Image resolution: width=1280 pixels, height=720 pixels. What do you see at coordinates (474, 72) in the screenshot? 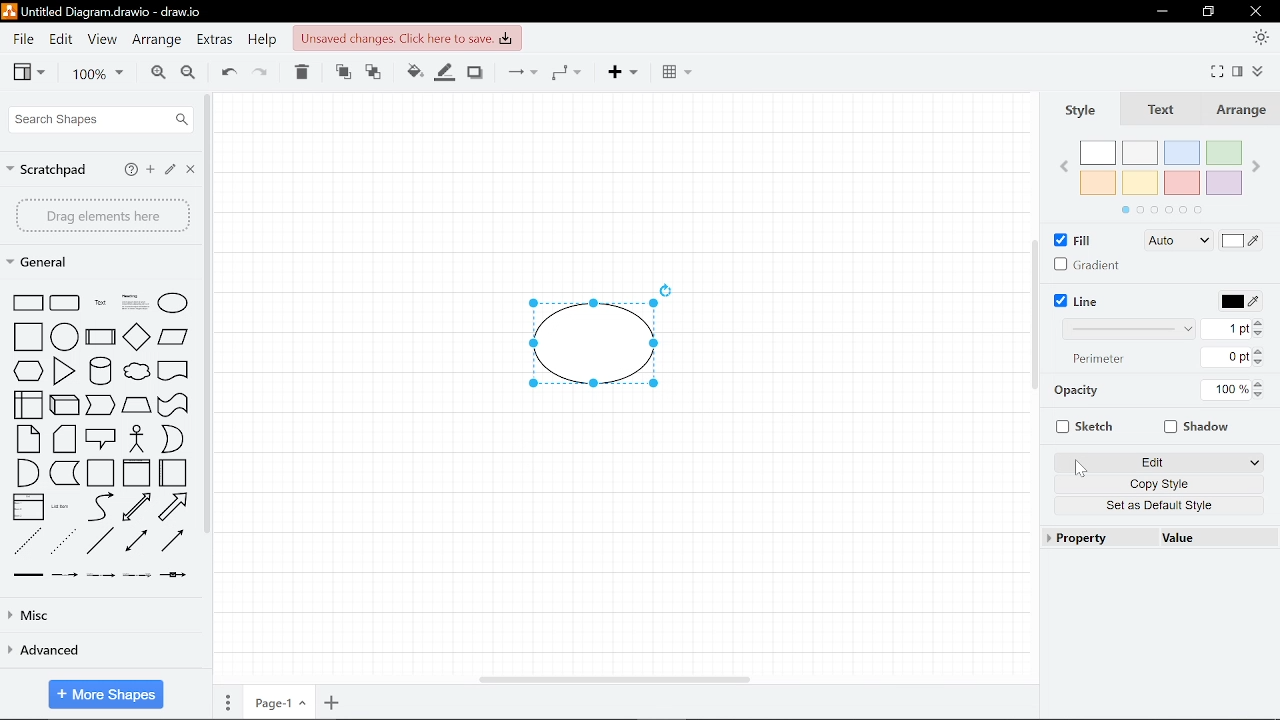
I see `Shadow` at bounding box center [474, 72].